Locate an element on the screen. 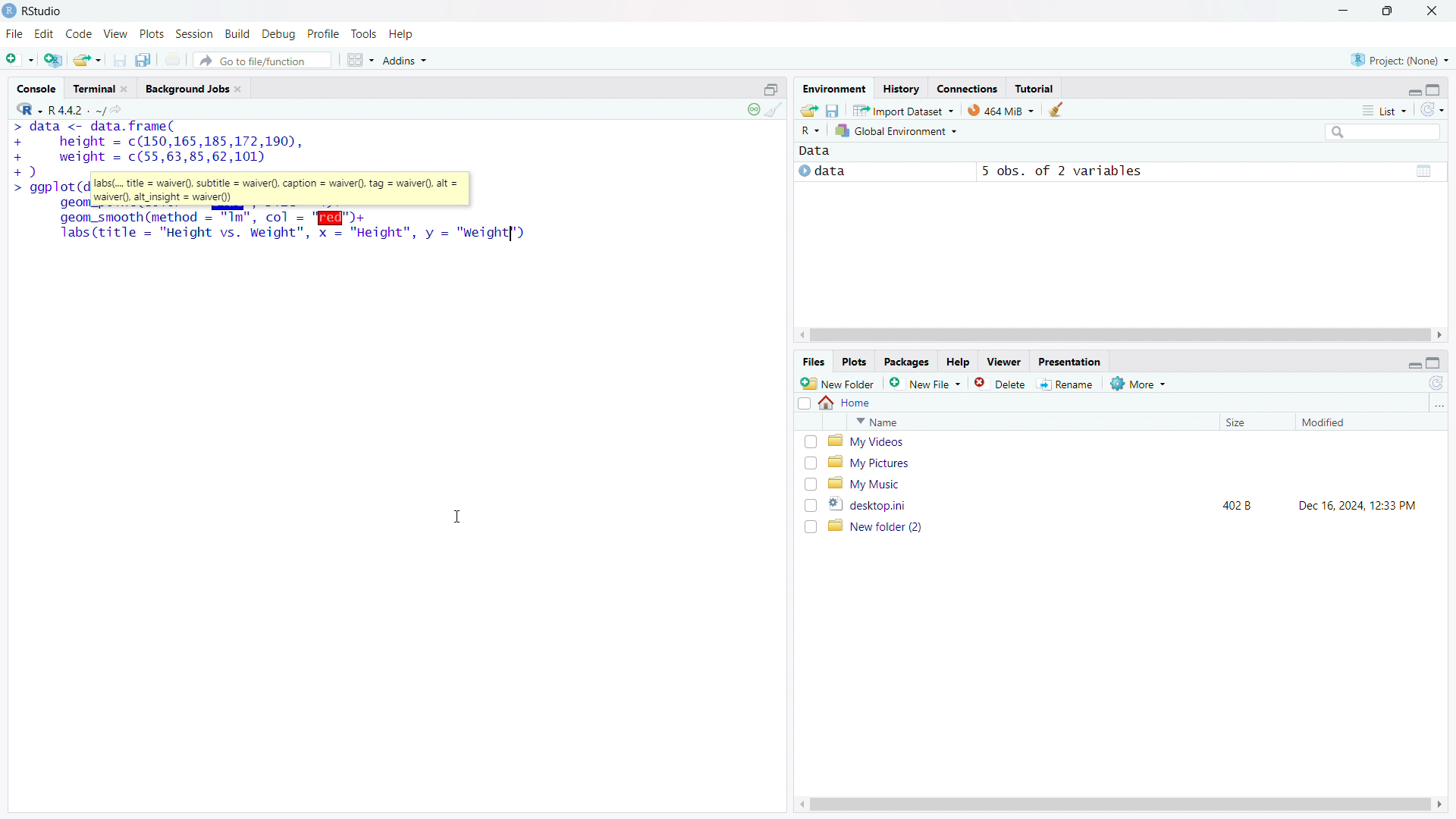  new folder (2) is located at coordinates (1131, 526).